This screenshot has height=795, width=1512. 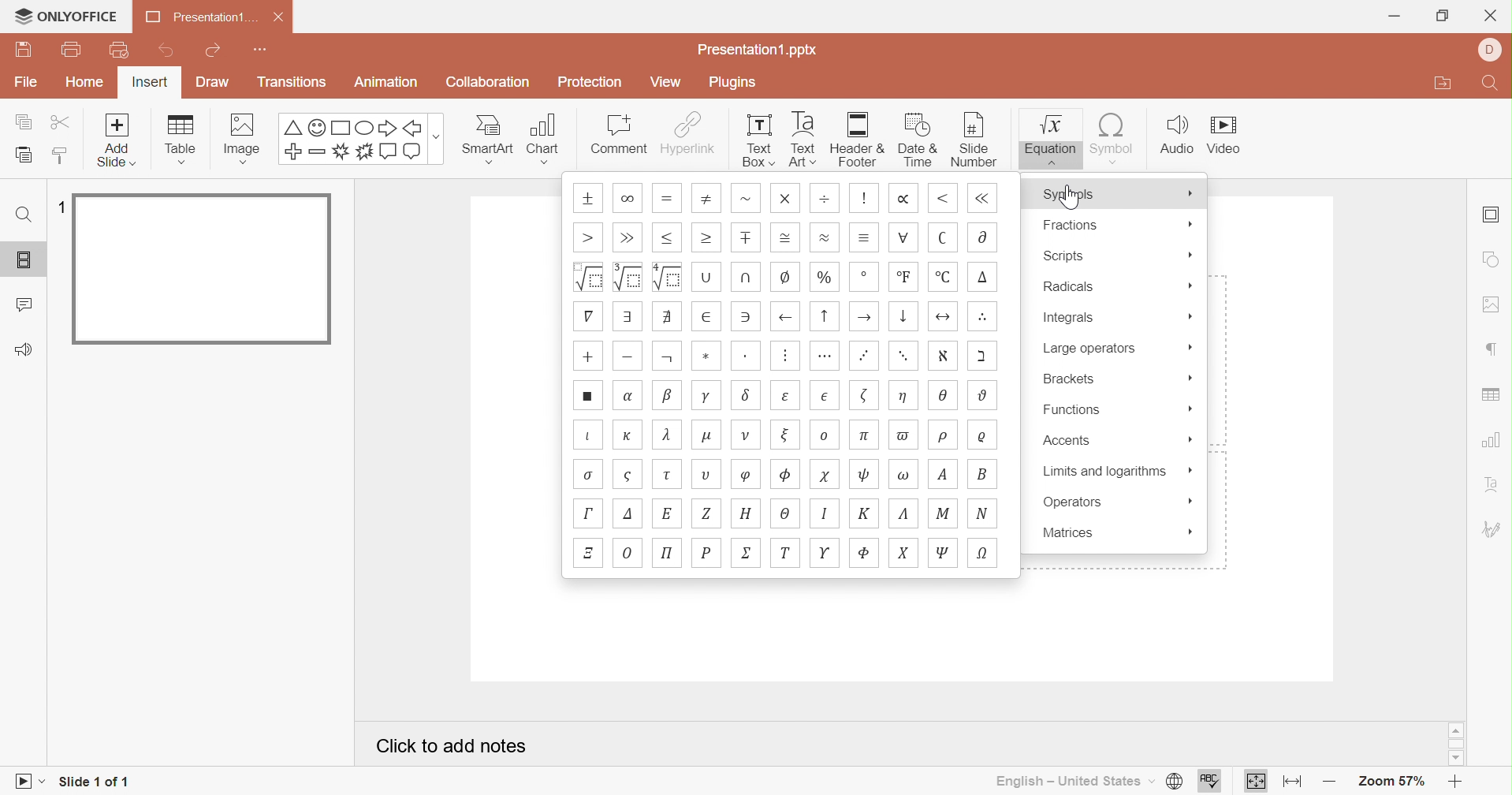 What do you see at coordinates (1119, 411) in the screenshot?
I see `Functions` at bounding box center [1119, 411].